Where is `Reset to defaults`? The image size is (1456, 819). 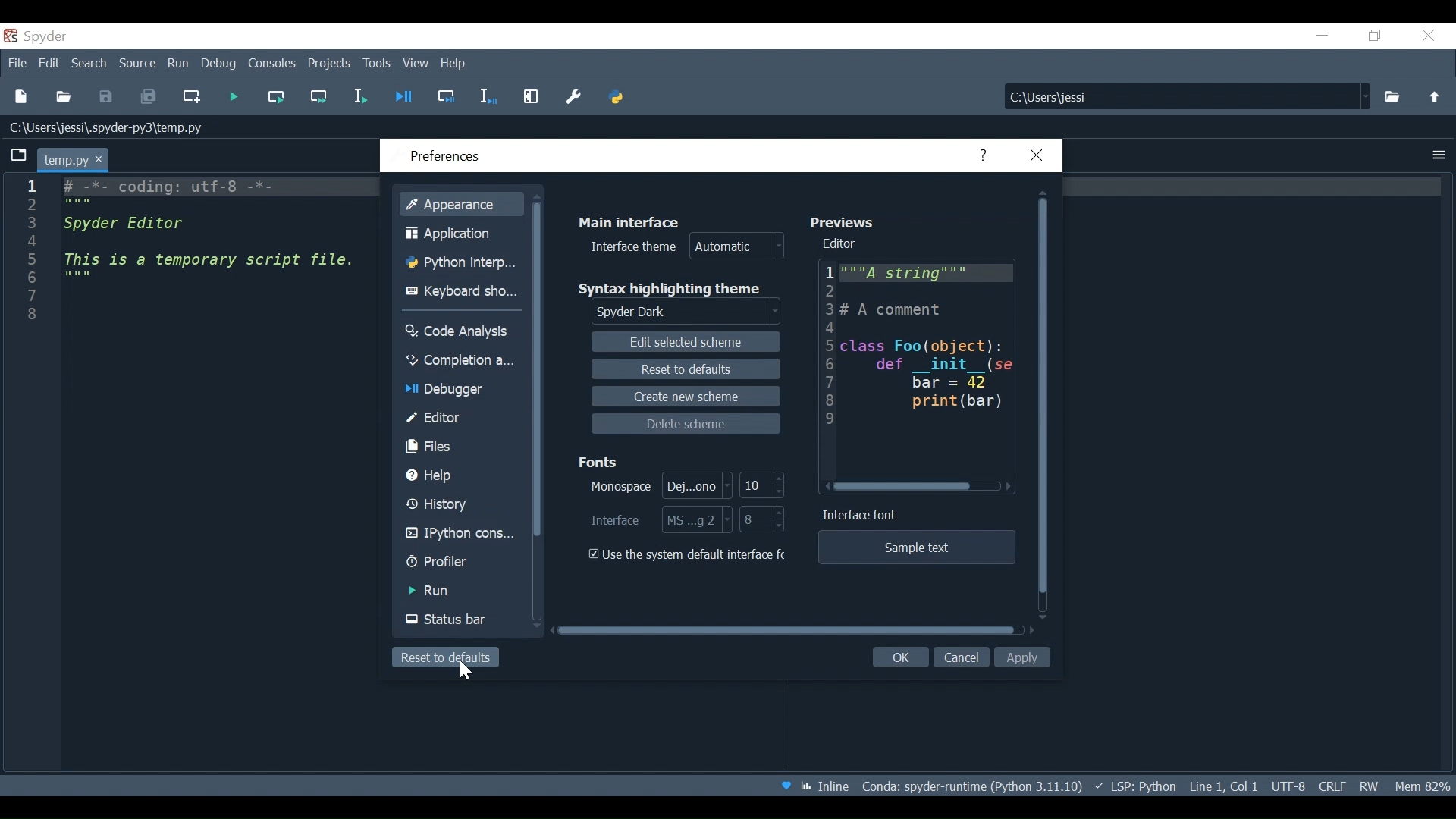 Reset to defaults is located at coordinates (447, 659).